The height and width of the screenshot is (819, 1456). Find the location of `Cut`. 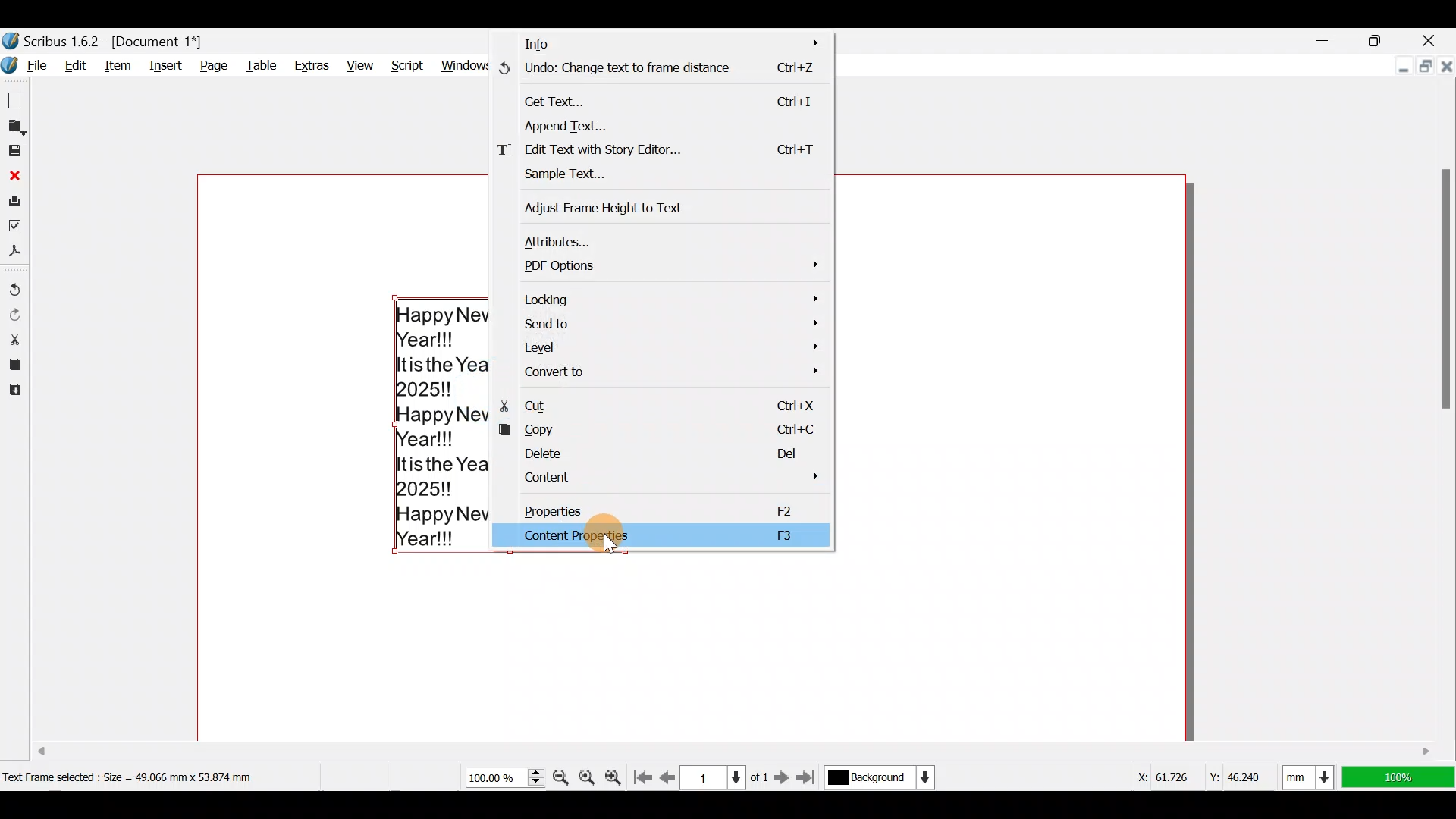

Cut is located at coordinates (14, 338).